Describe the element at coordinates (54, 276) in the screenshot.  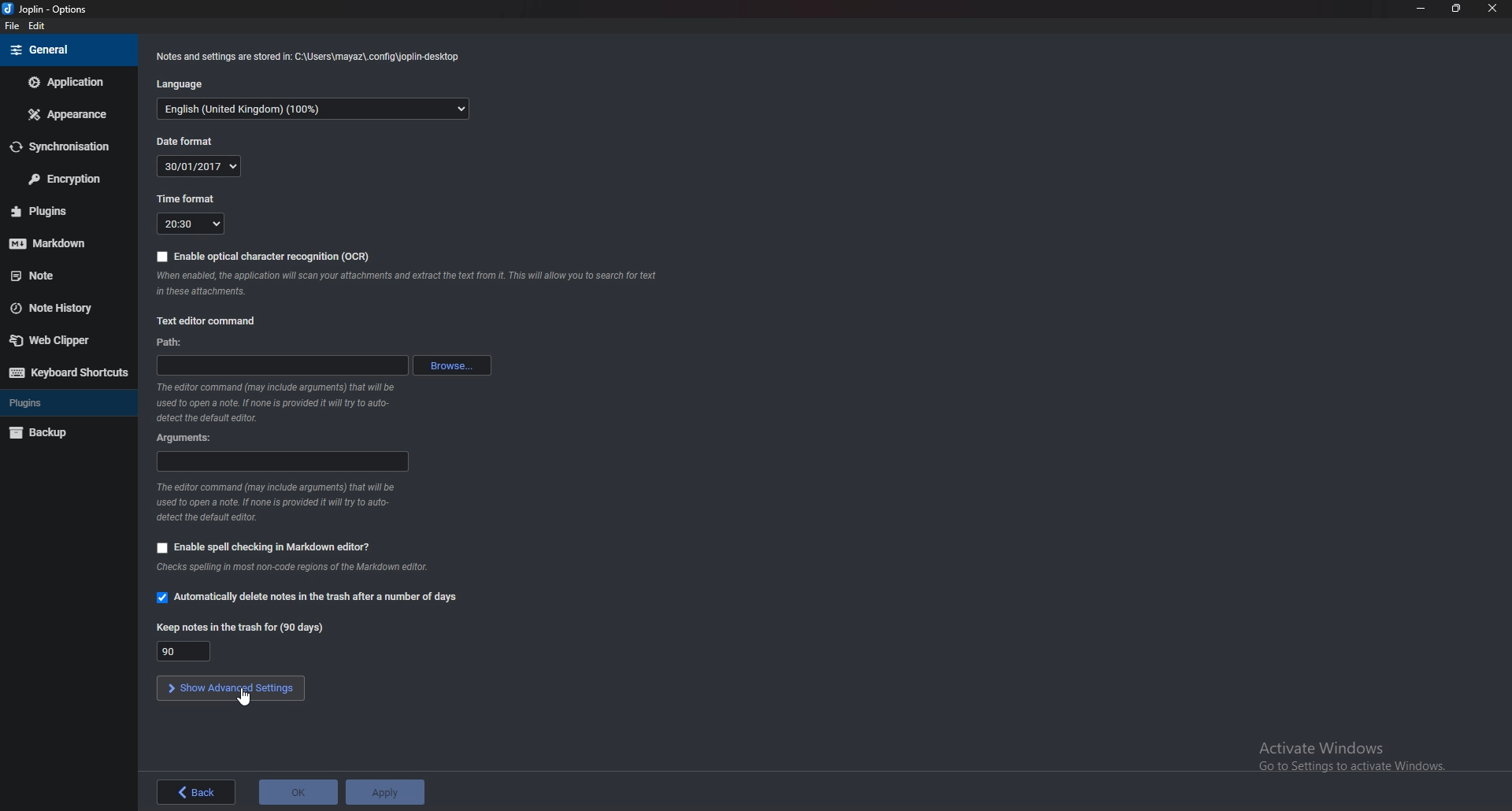
I see `note` at that location.